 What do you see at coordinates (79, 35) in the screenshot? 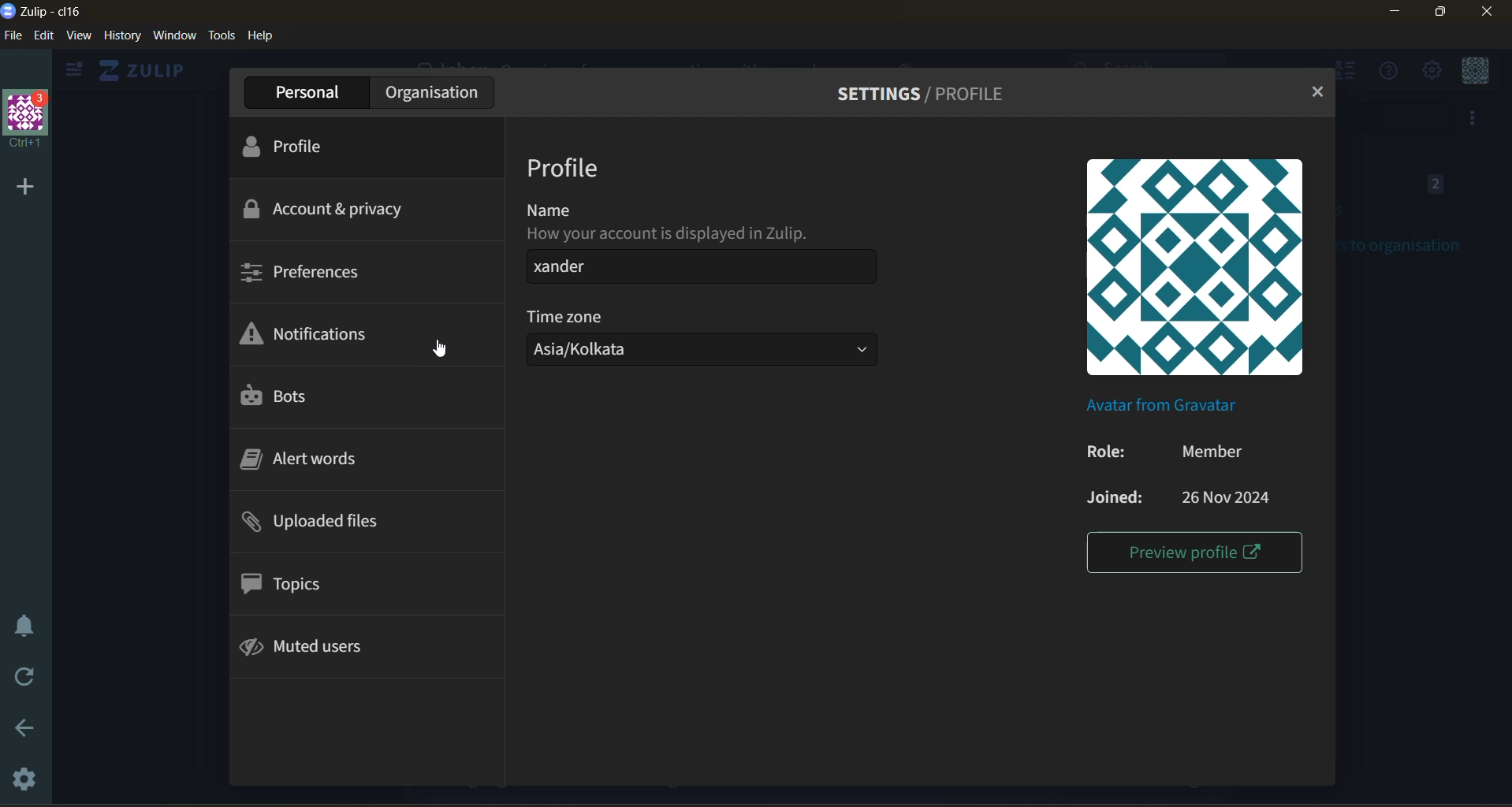
I see `view` at bounding box center [79, 35].